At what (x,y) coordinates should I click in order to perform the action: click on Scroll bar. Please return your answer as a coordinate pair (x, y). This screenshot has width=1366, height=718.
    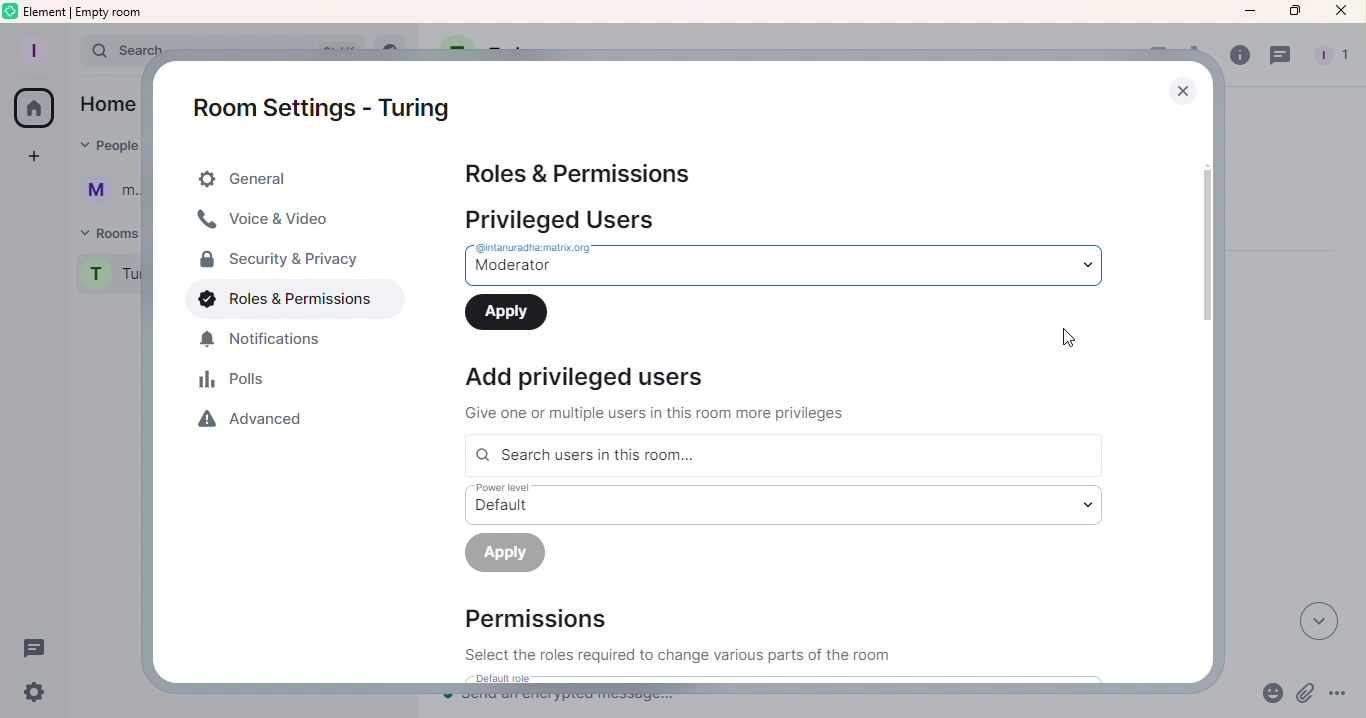
    Looking at the image, I should click on (1203, 384).